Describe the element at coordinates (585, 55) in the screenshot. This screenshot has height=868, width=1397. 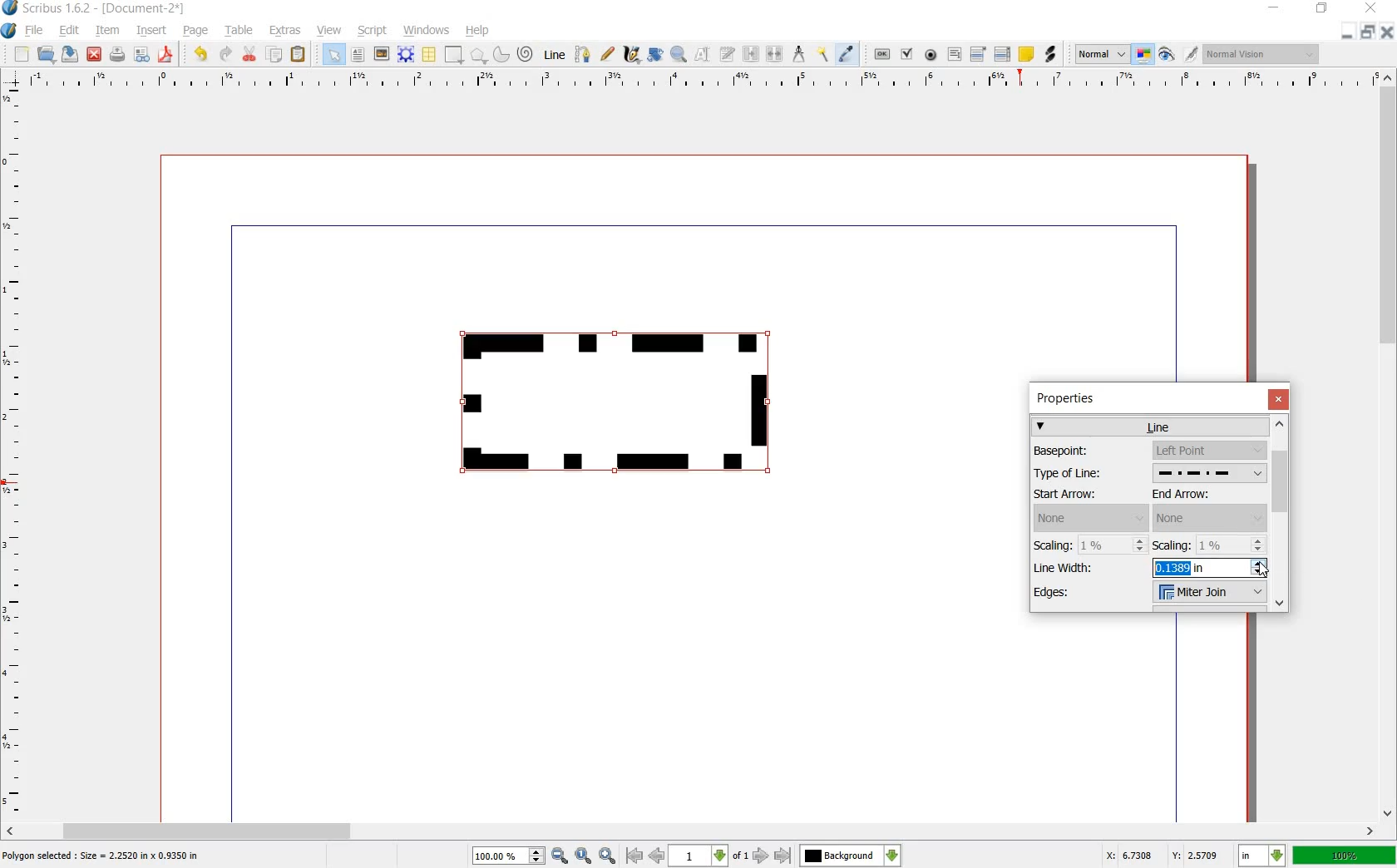
I see `BEZIER CURVE` at that location.